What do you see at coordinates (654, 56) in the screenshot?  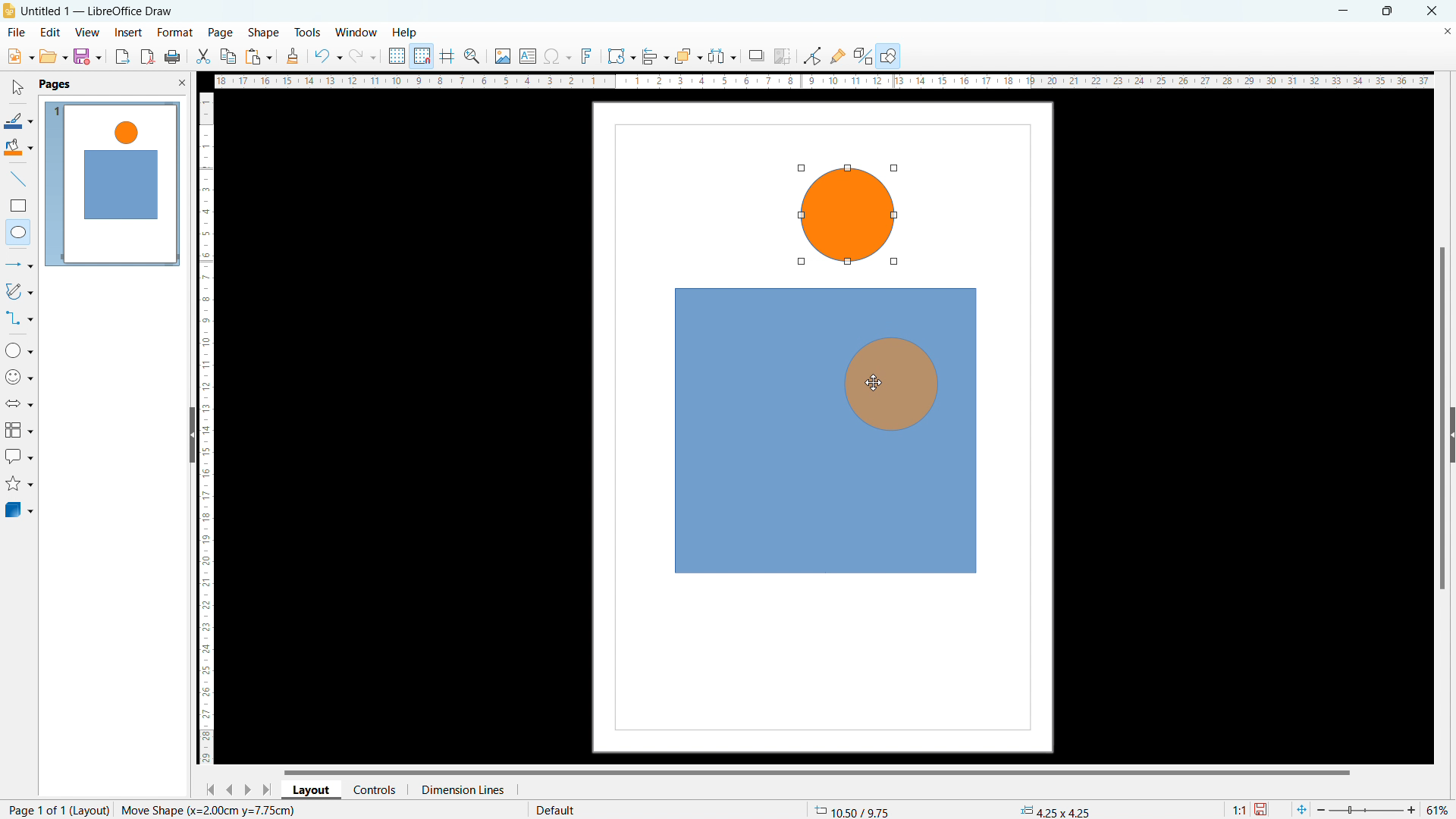 I see `align object` at bounding box center [654, 56].